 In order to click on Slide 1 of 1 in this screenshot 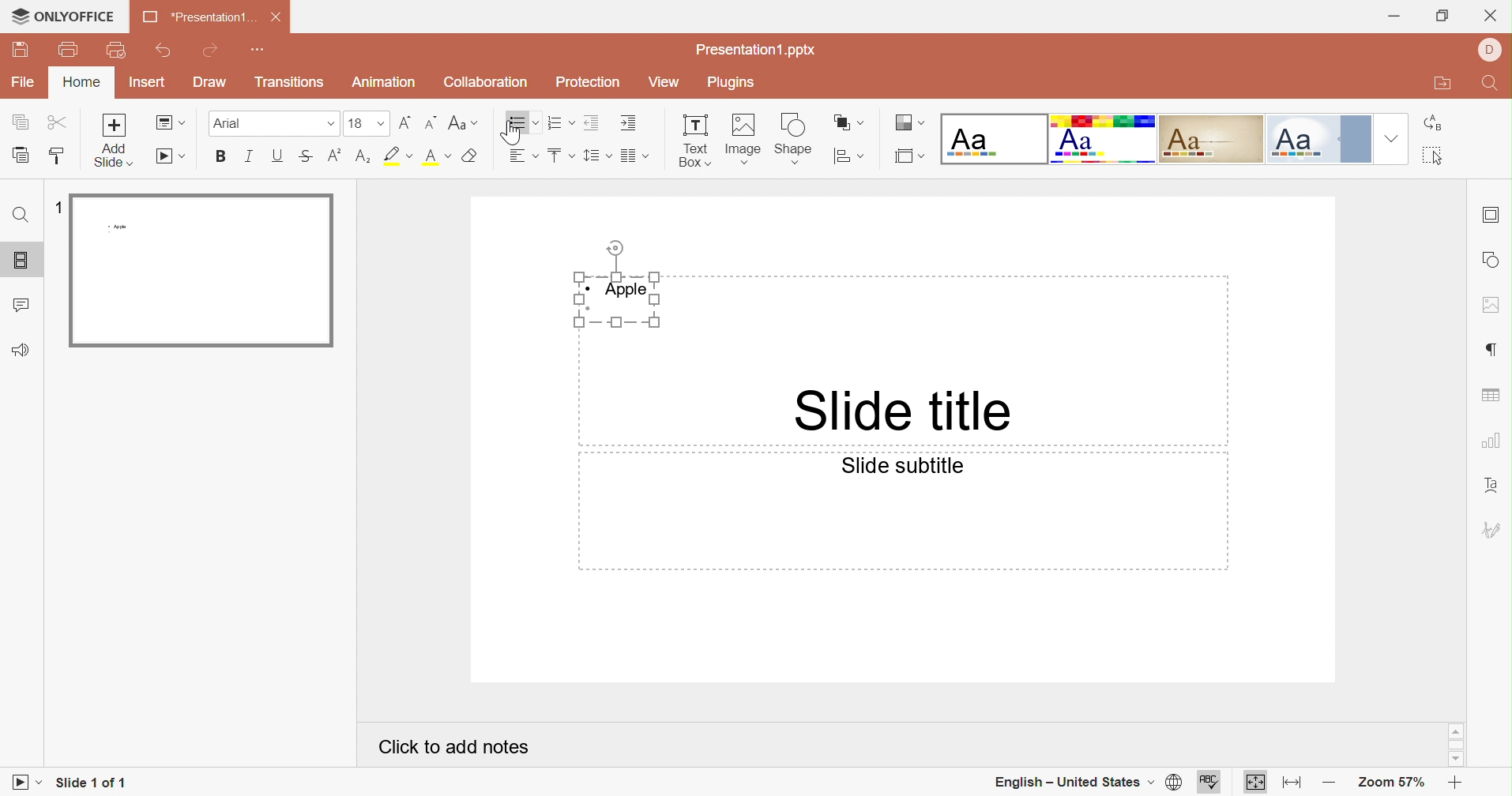, I will do `click(93, 780)`.